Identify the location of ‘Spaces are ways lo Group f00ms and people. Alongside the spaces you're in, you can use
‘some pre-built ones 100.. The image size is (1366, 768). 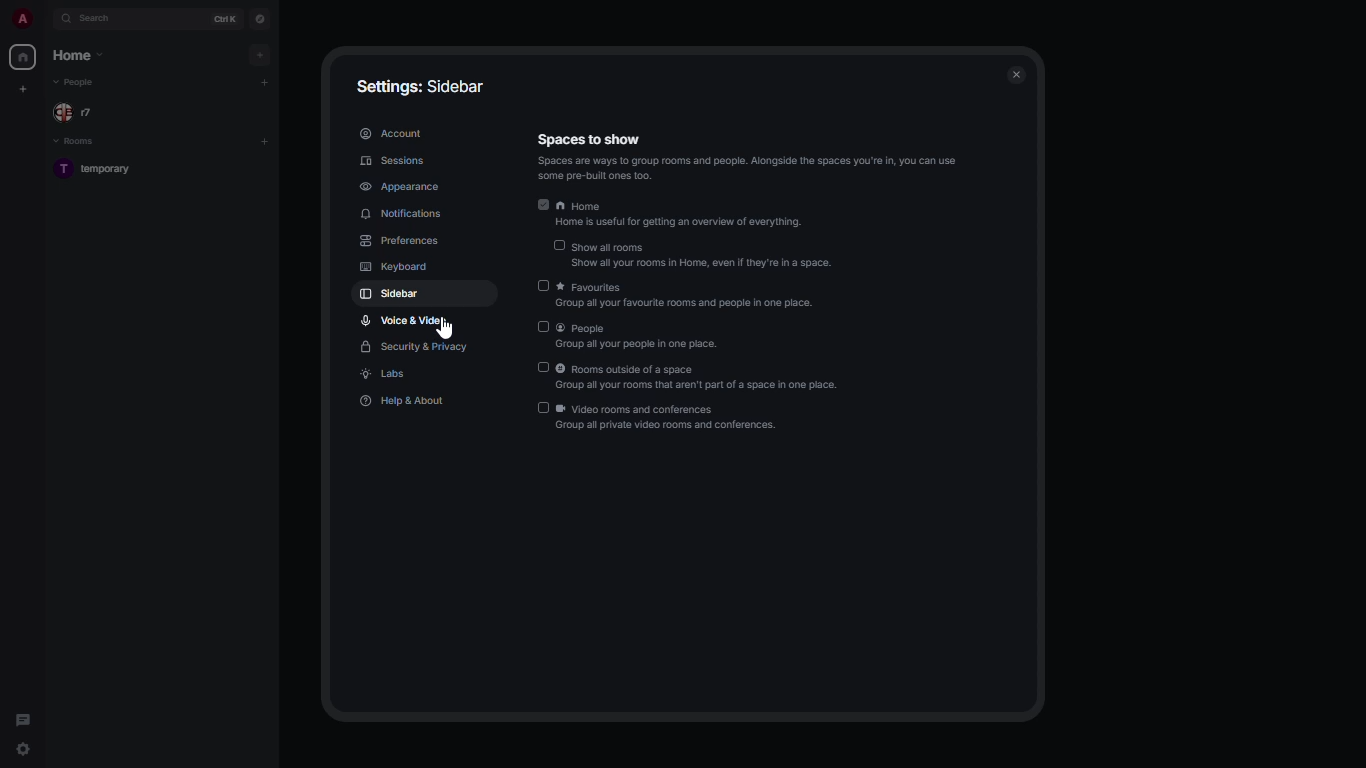
(776, 167).